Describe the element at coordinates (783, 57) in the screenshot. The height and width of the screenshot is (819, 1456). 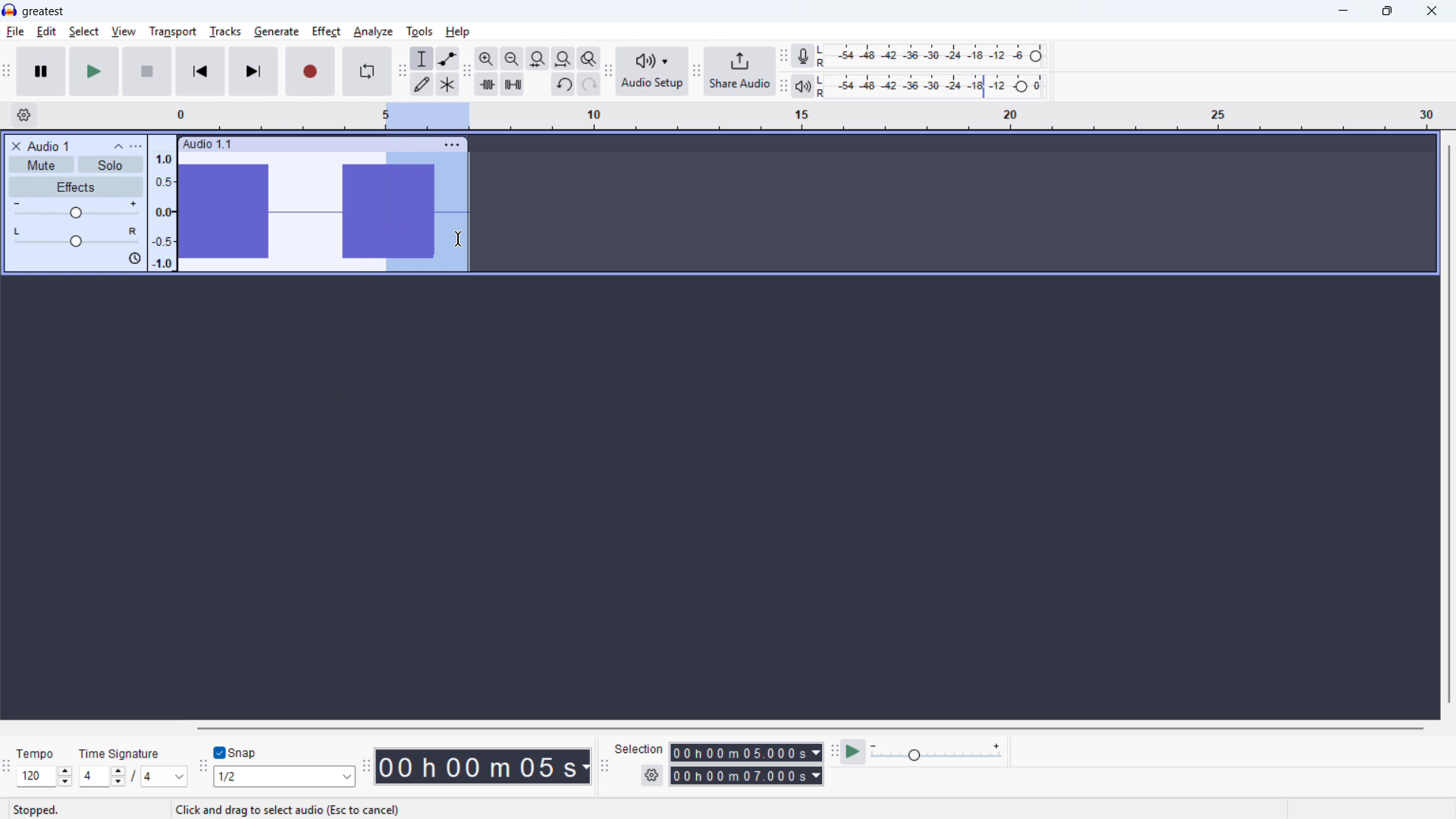
I see `Recording metre toolbar ` at that location.